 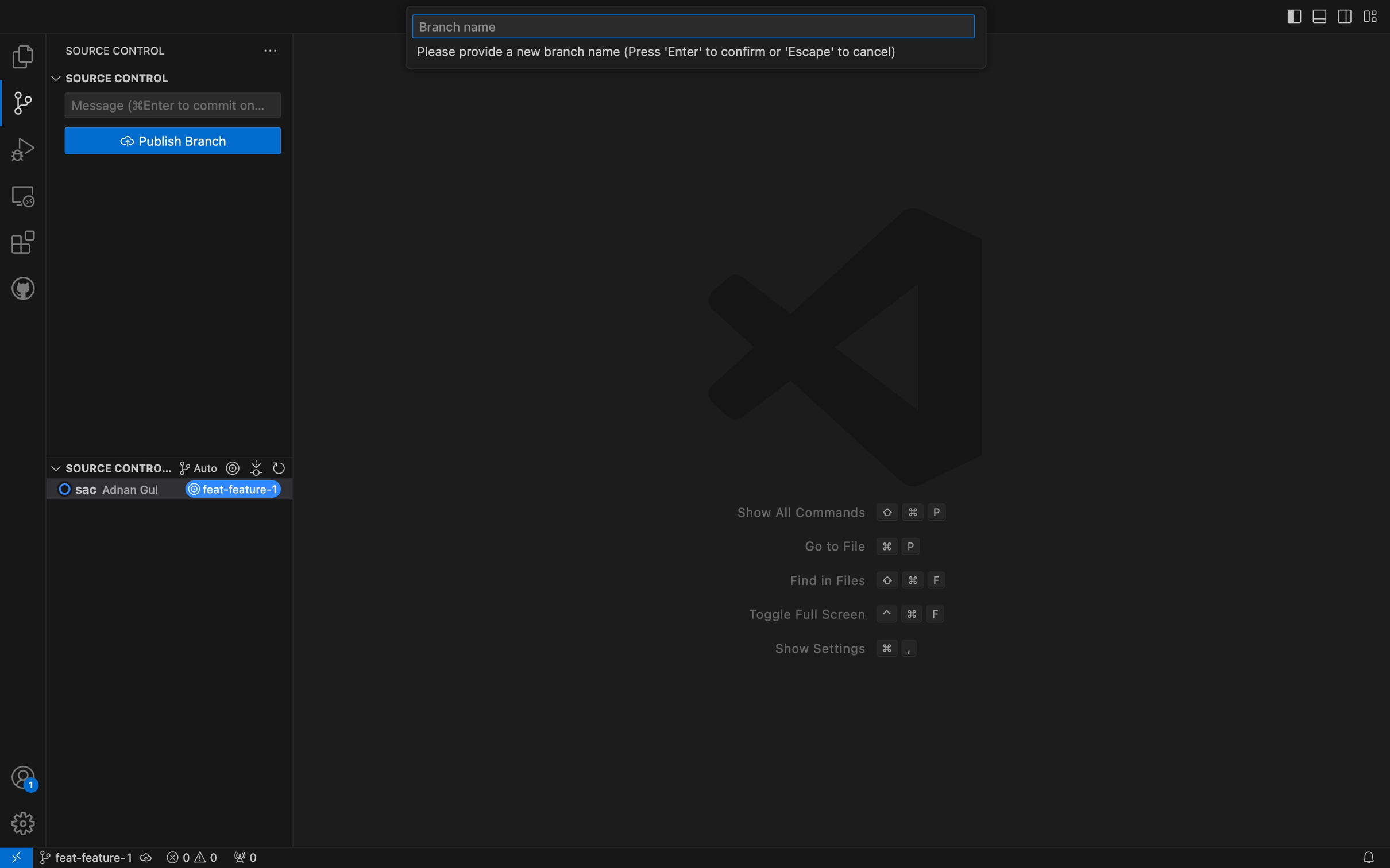 What do you see at coordinates (1366, 858) in the screenshot?
I see `Notifications ` at bounding box center [1366, 858].